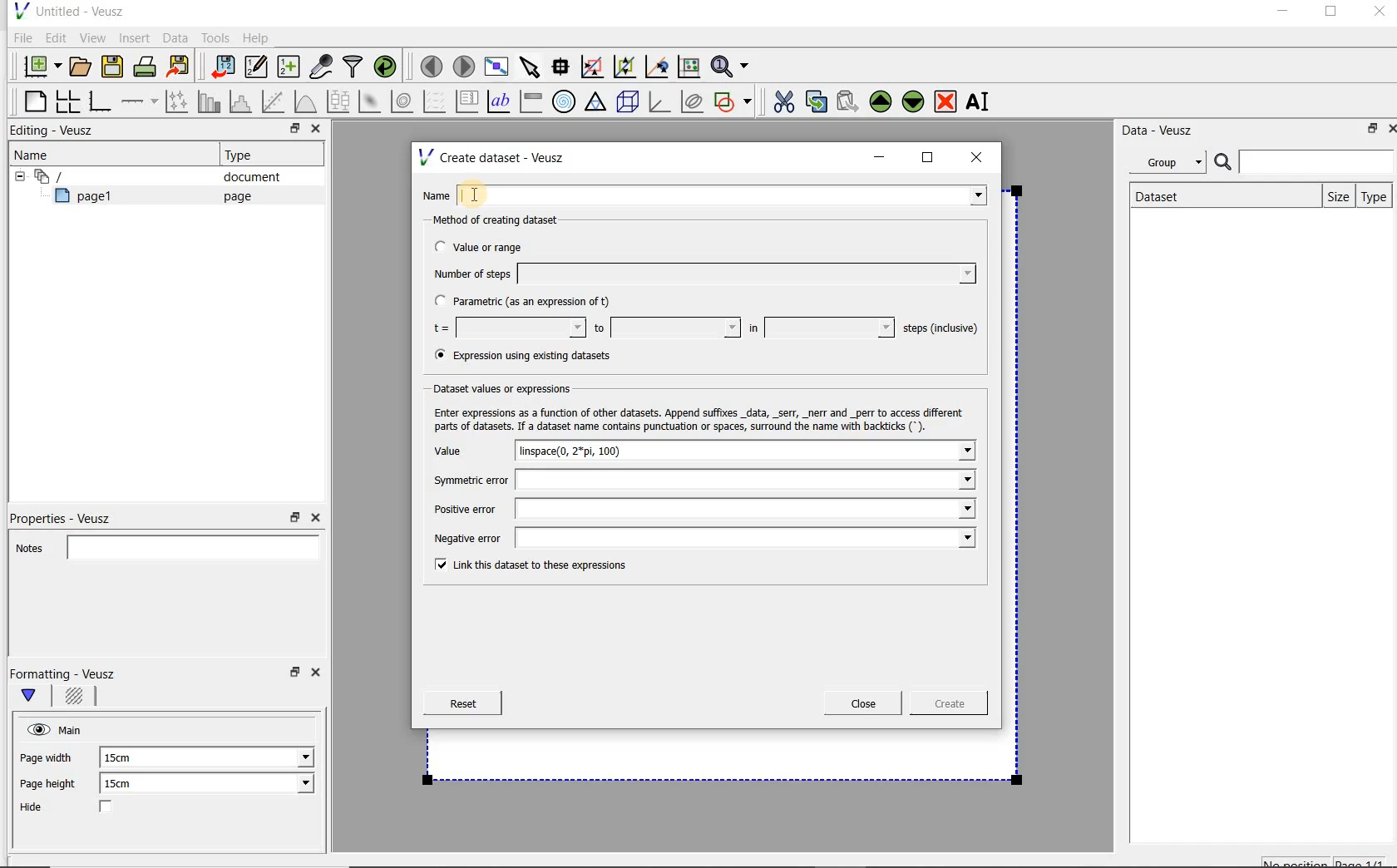 The image size is (1397, 868). I want to click on page1/1, so click(1366, 861).